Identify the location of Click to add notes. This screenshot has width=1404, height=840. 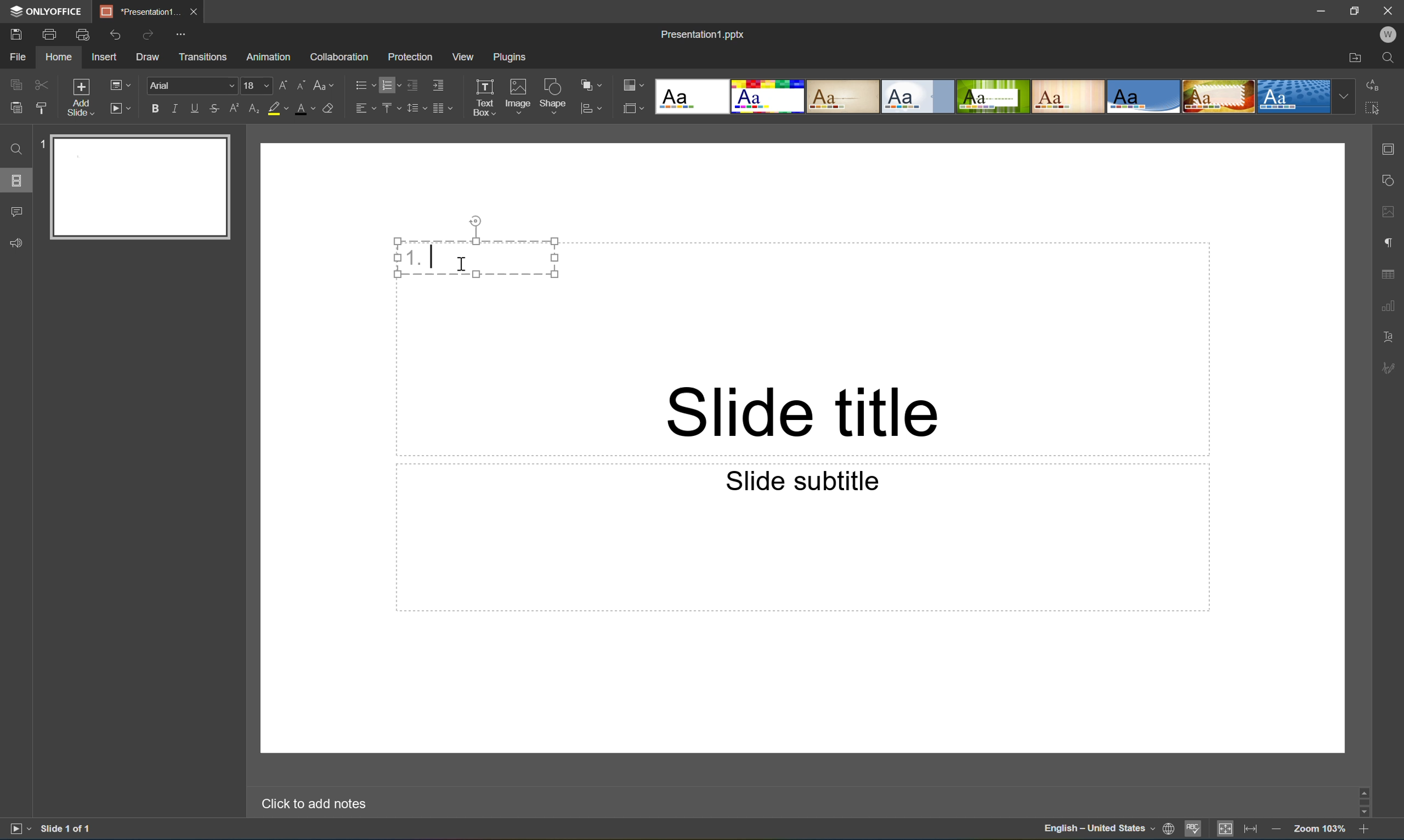
(312, 804).